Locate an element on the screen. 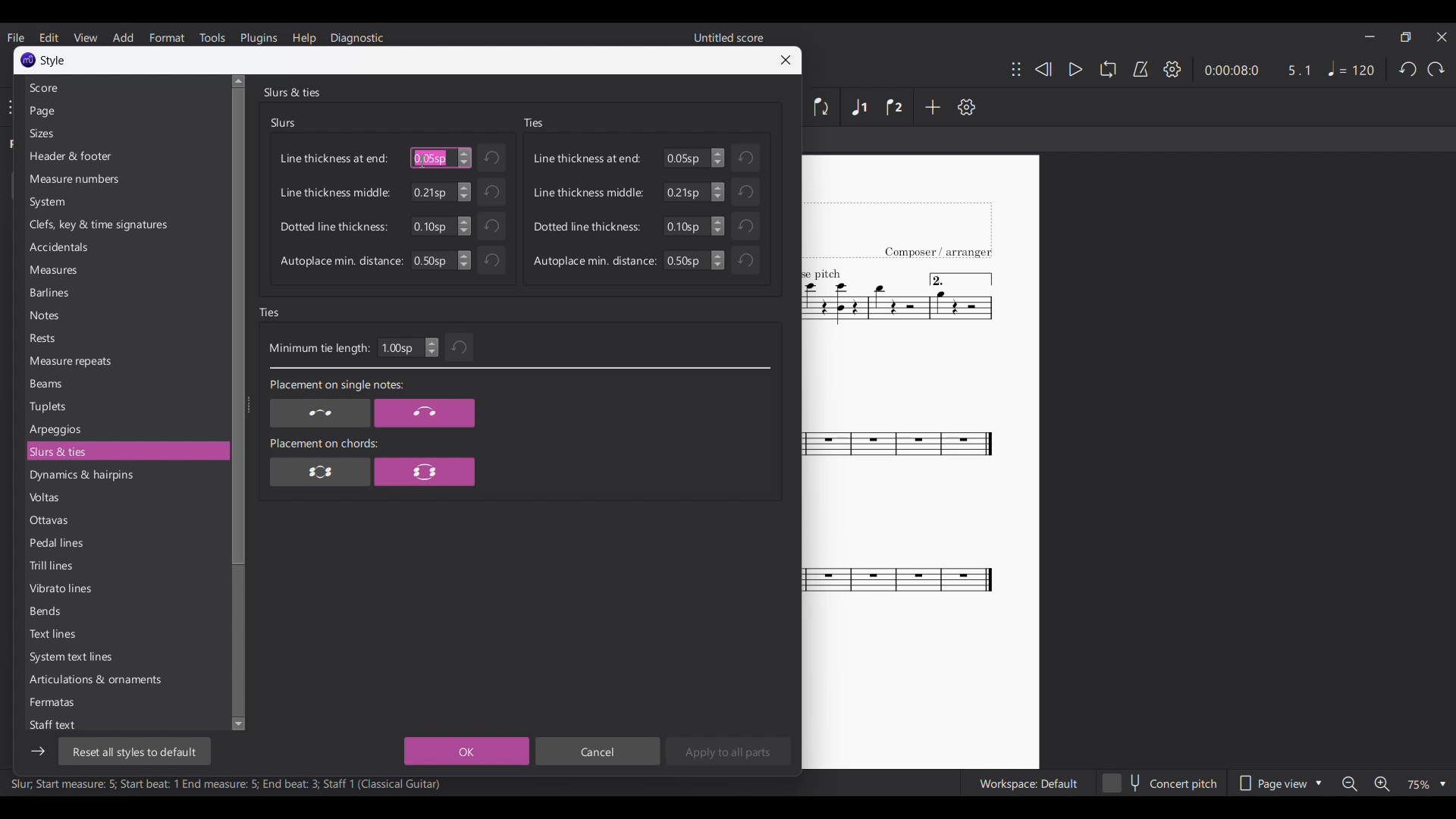  Flip direction is located at coordinates (822, 107).